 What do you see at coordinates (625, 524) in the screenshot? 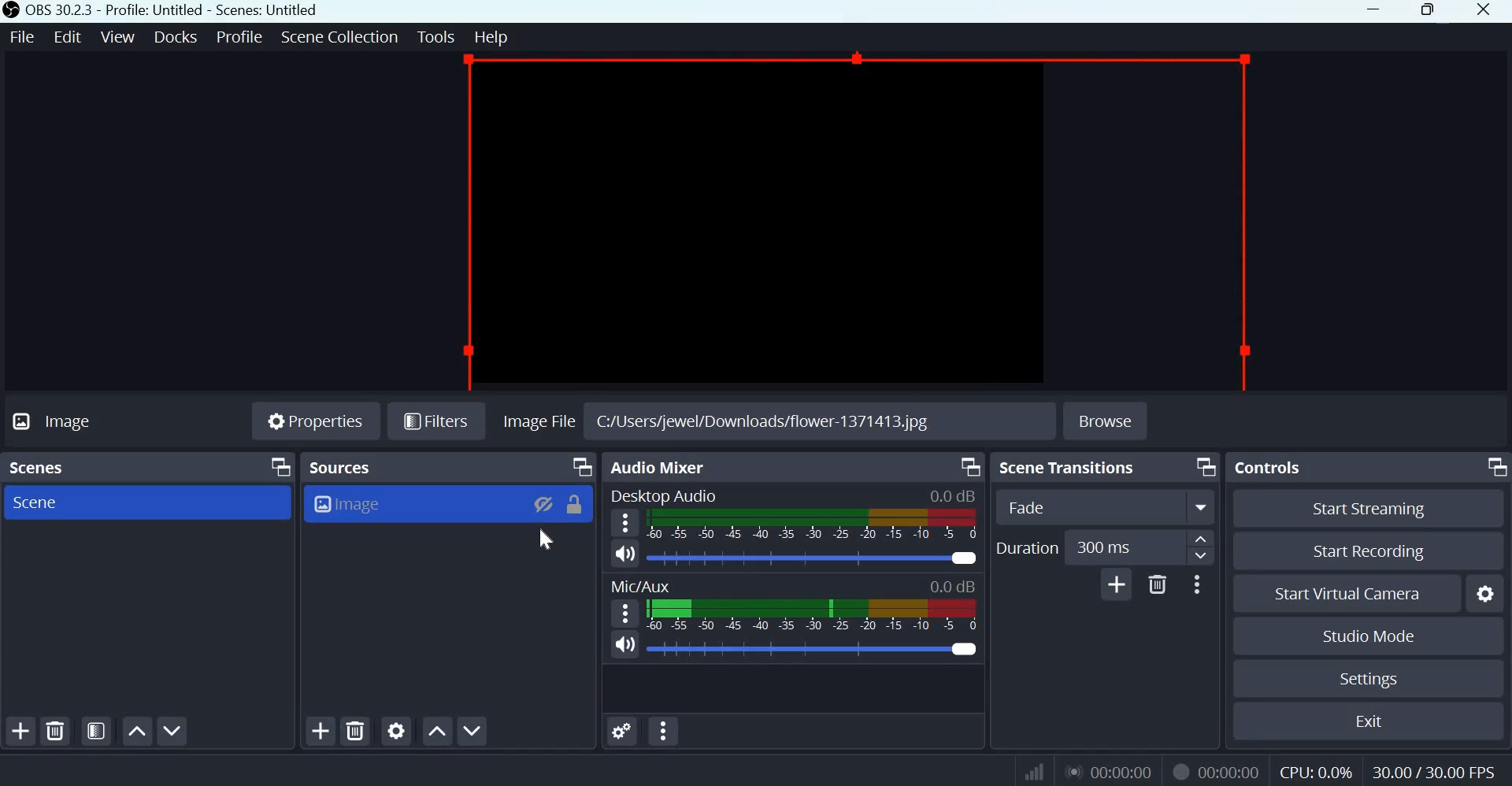
I see `hamburger menu` at bounding box center [625, 524].